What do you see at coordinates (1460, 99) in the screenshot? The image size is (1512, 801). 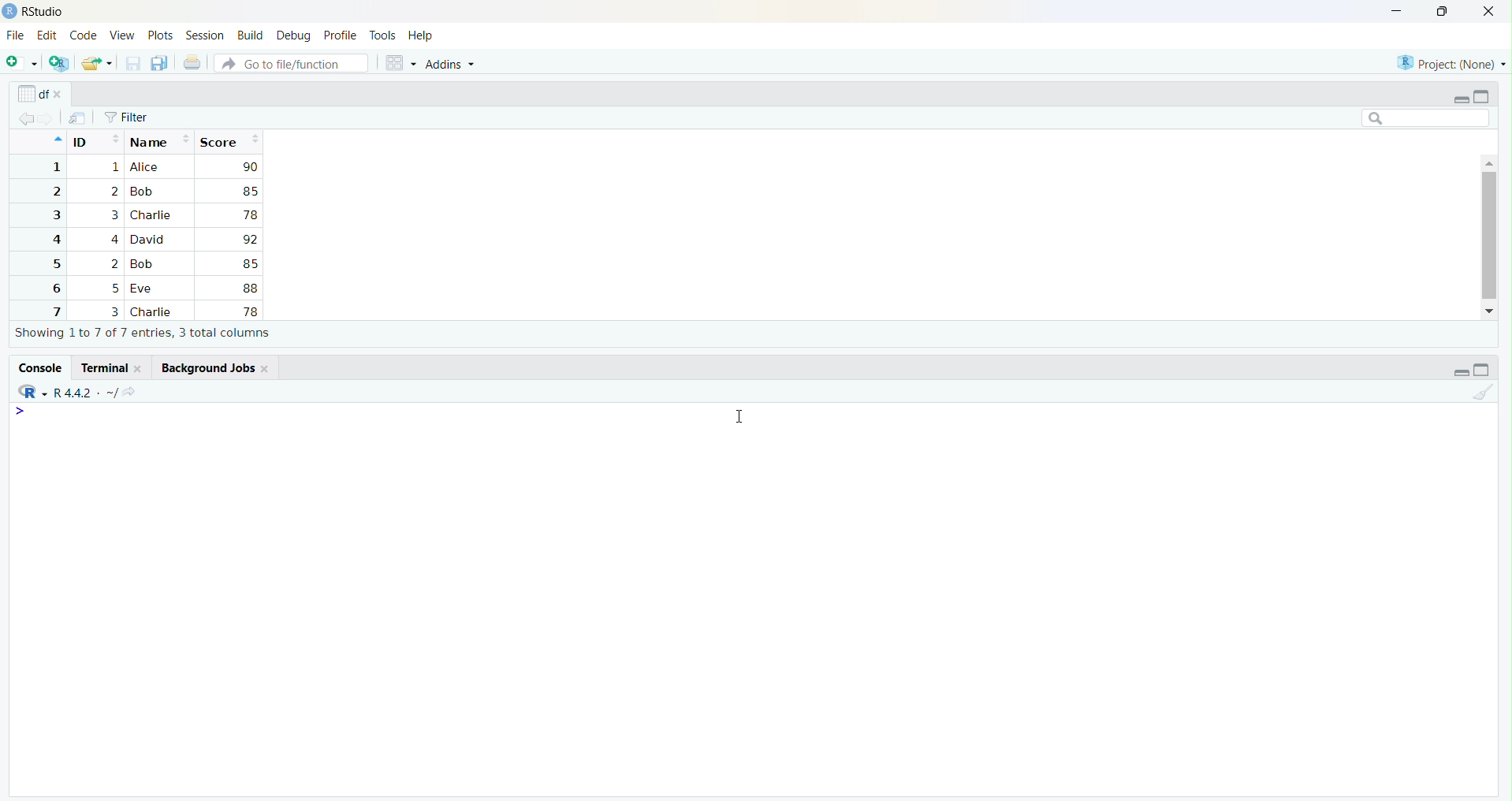 I see `minimize` at bounding box center [1460, 99].